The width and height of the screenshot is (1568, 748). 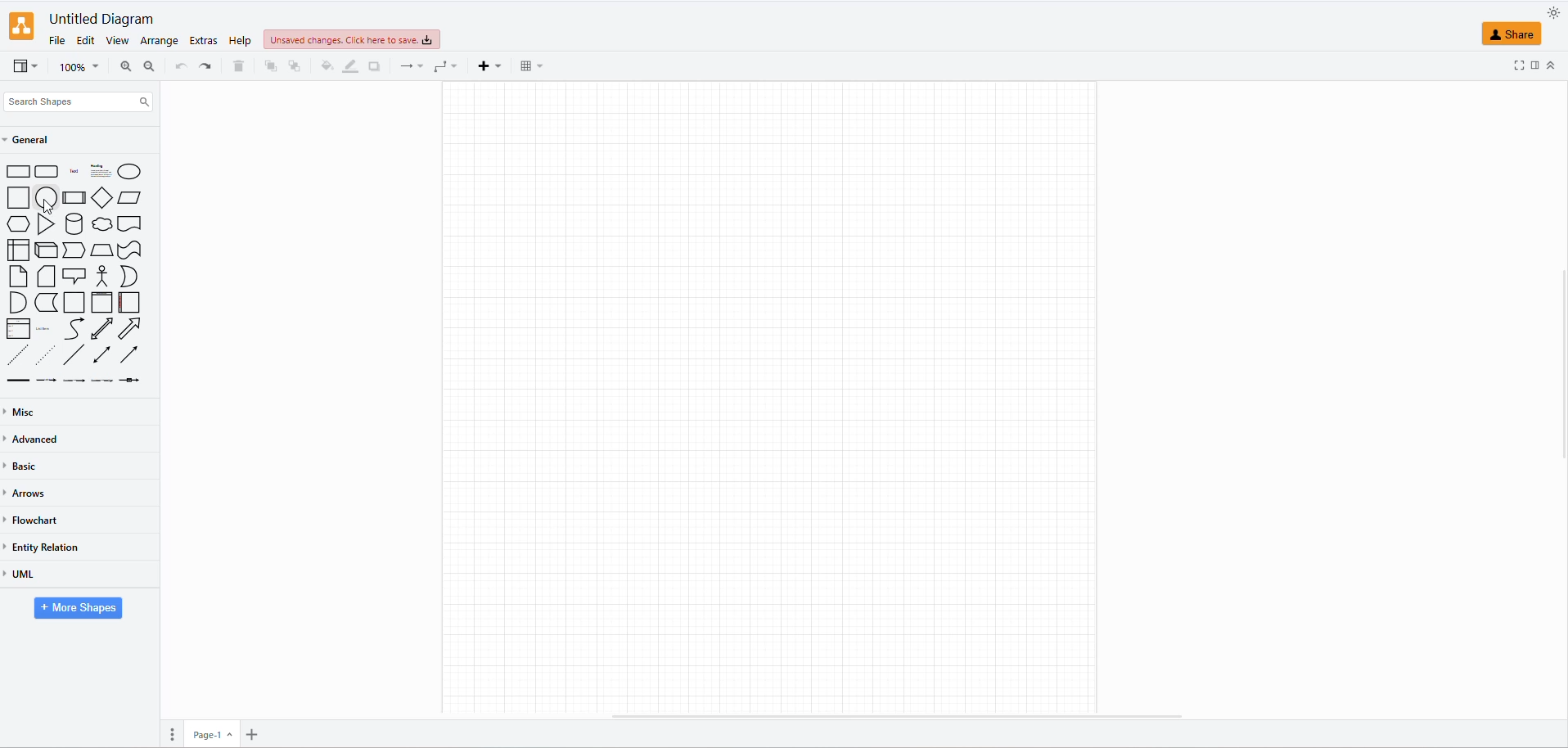 What do you see at coordinates (79, 68) in the screenshot?
I see `ZOOM` at bounding box center [79, 68].